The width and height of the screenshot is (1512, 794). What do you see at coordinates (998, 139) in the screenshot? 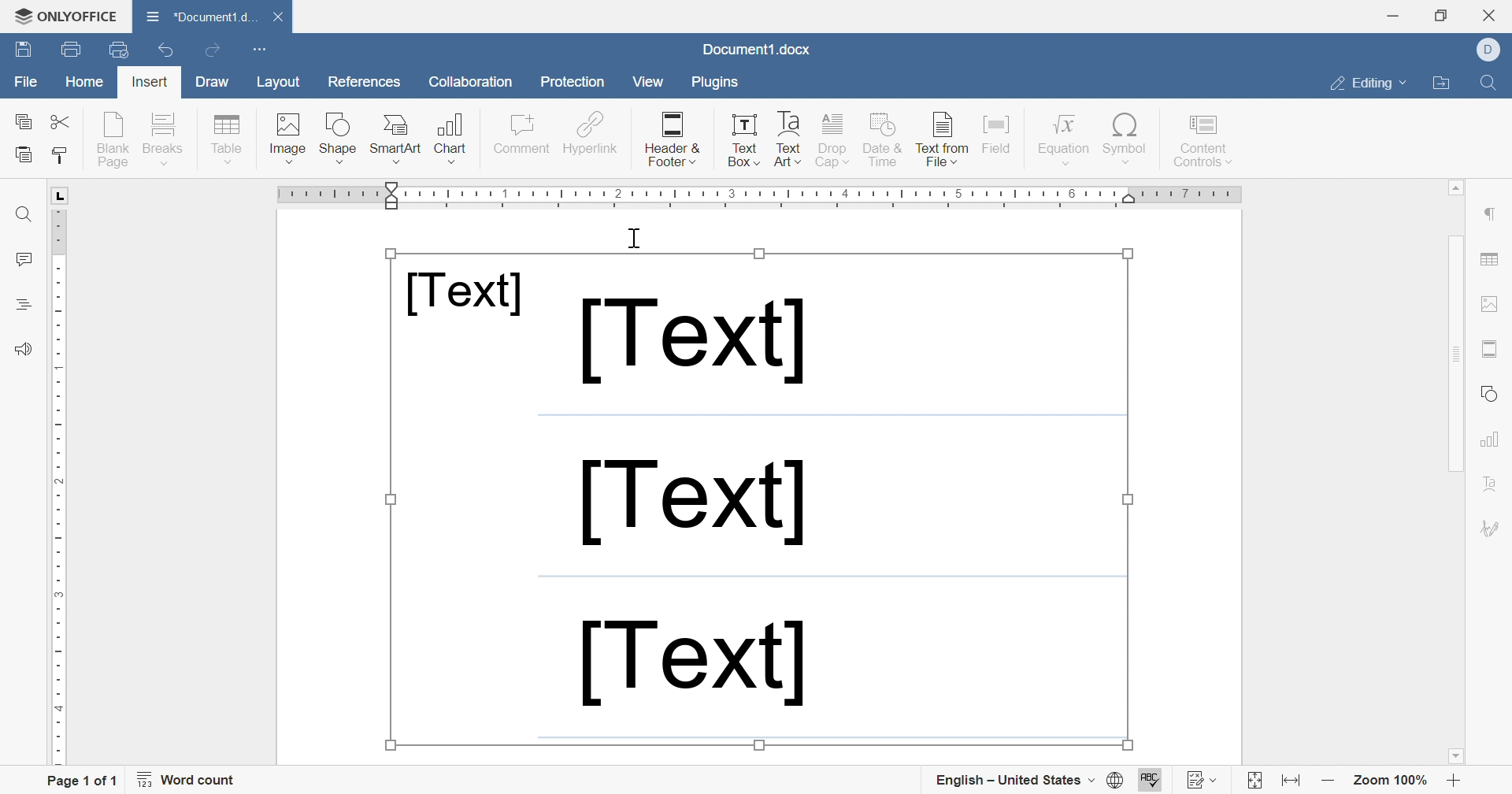
I see `Field` at bounding box center [998, 139].